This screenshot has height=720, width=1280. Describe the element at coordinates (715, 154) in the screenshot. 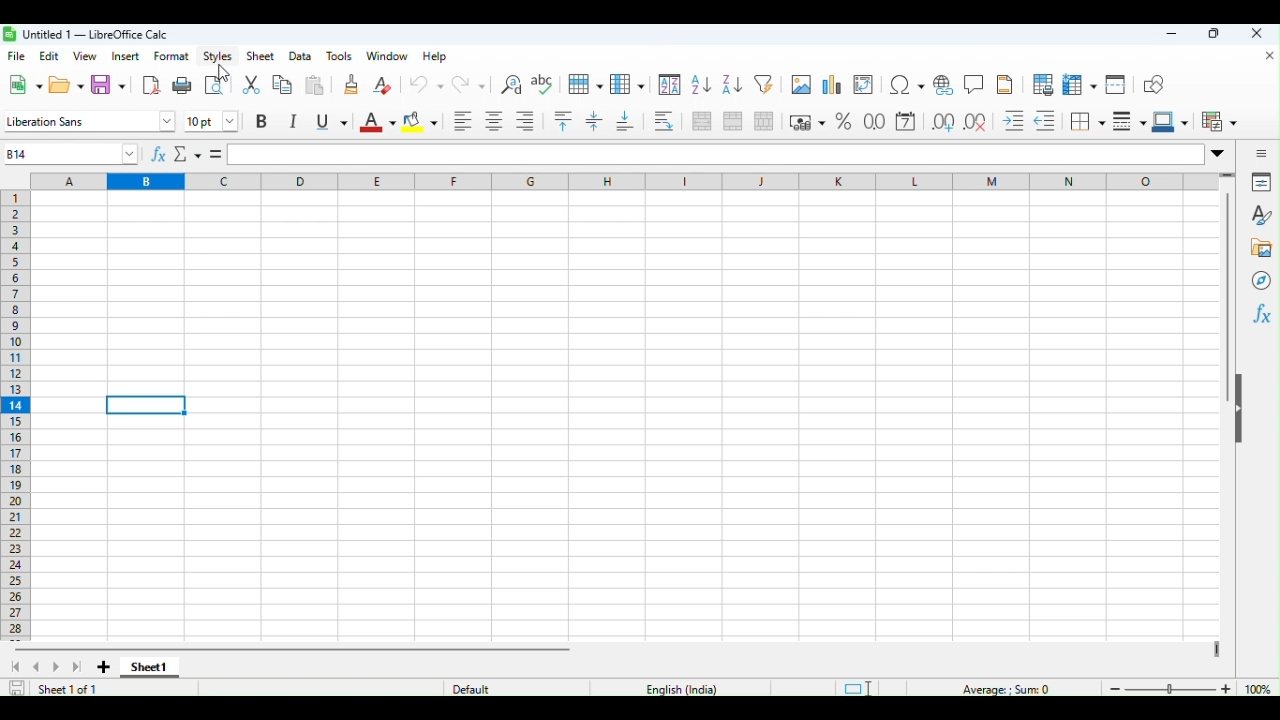

I see `Formula bar` at that location.